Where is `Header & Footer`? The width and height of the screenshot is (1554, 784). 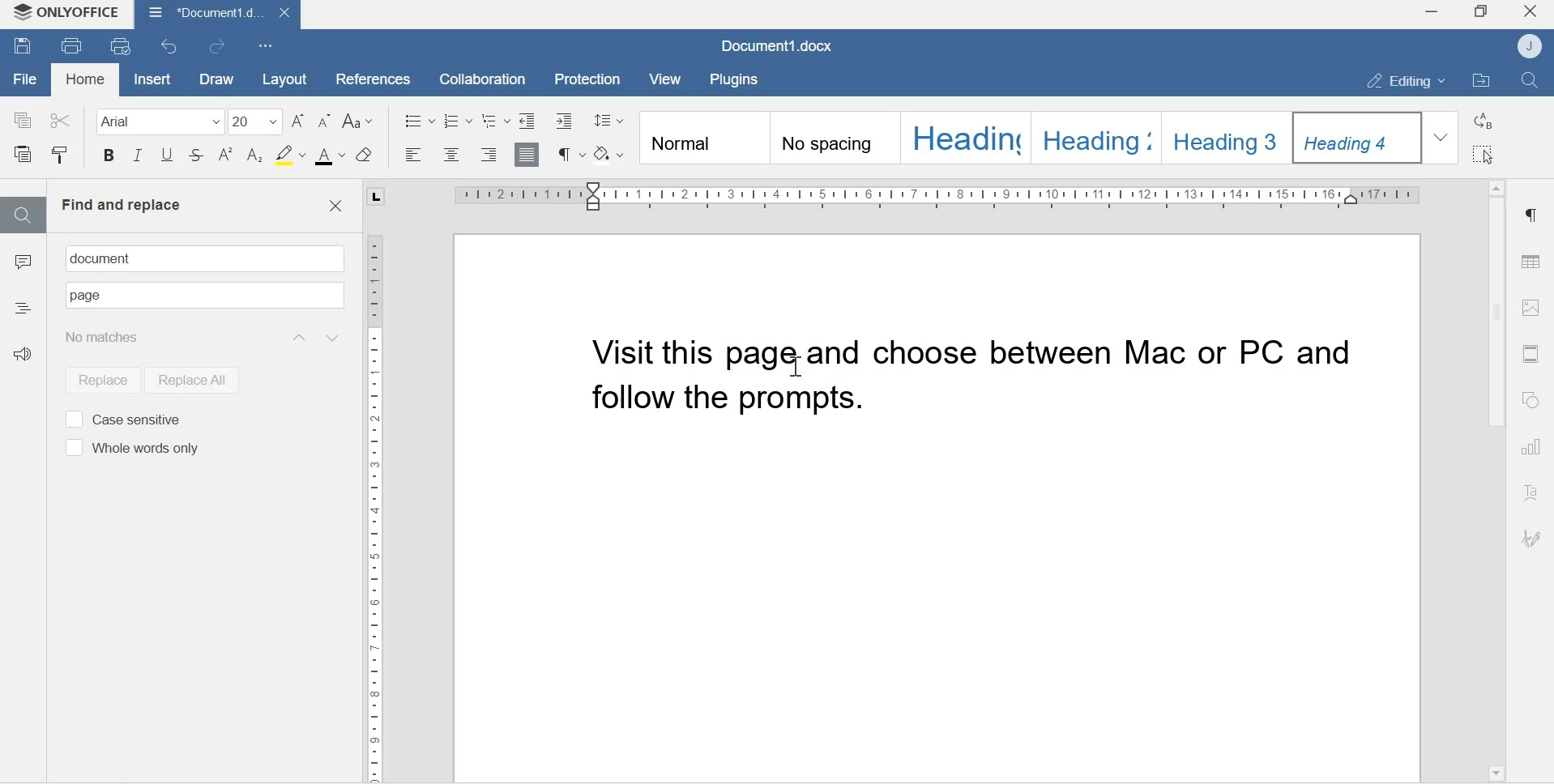 Header & Footer is located at coordinates (1531, 353).